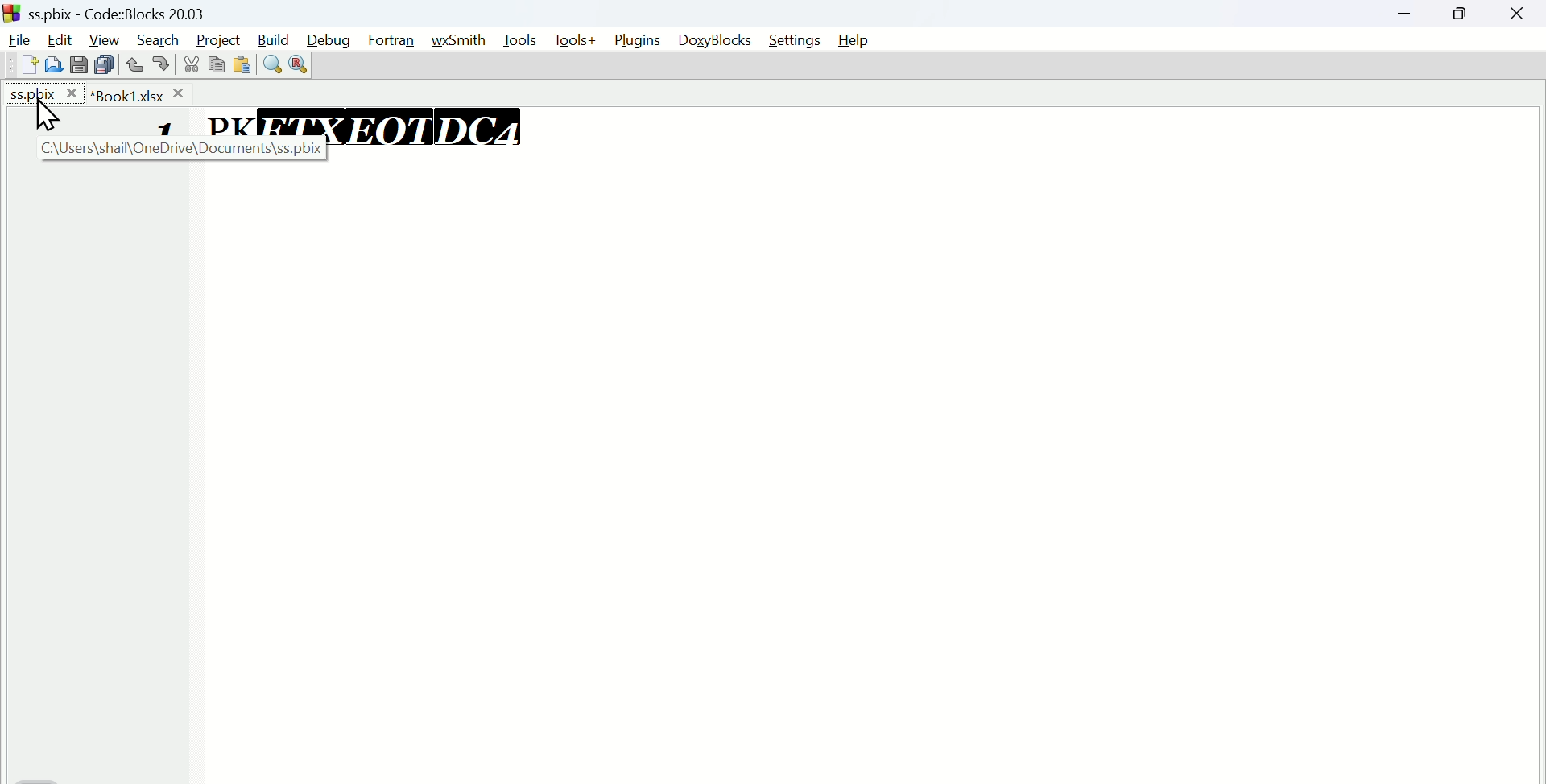  Describe the element at coordinates (241, 64) in the screenshot. I see `Paste` at that location.